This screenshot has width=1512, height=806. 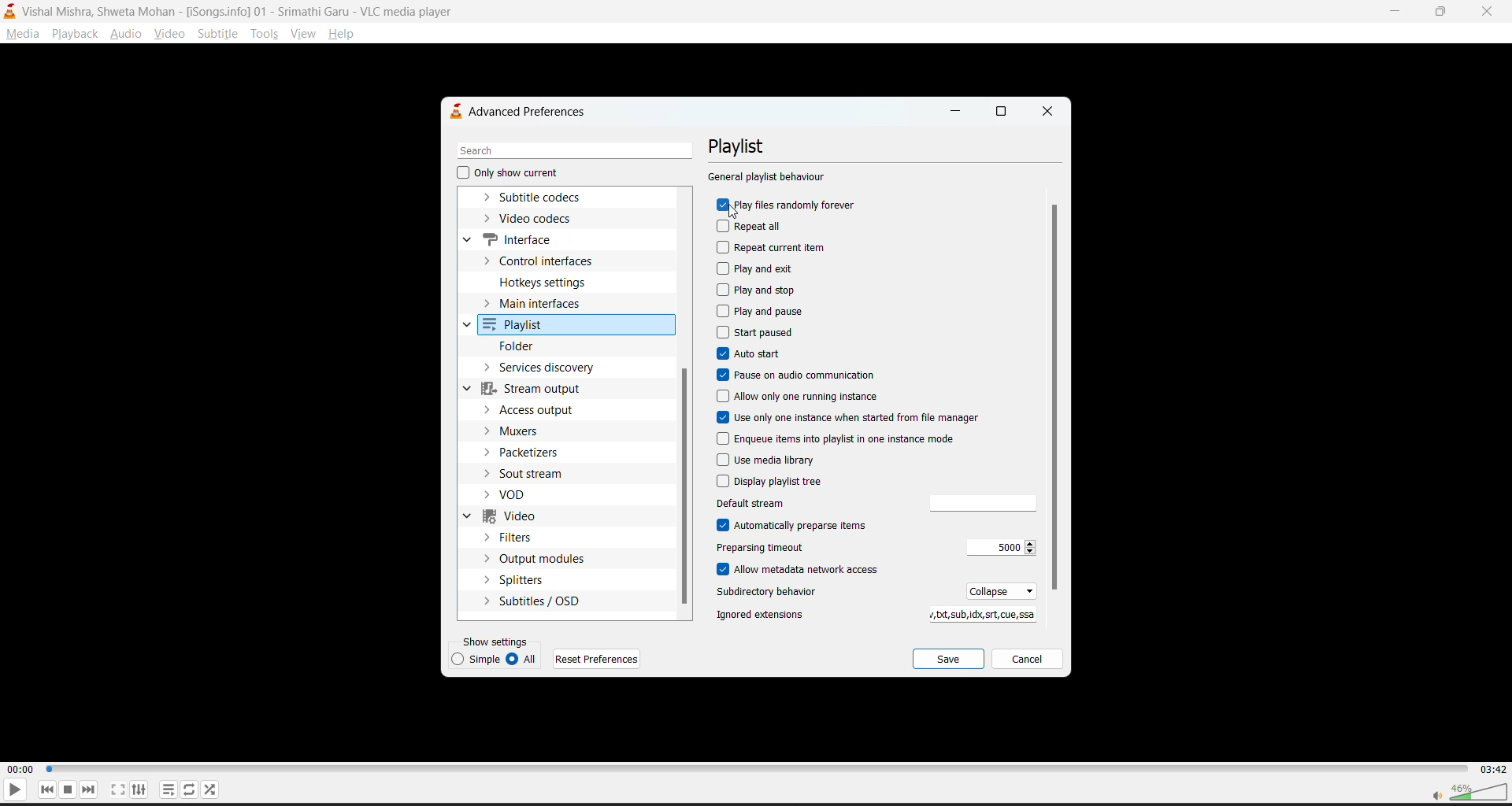 I want to click on general playlist behaviour, so click(x=771, y=176).